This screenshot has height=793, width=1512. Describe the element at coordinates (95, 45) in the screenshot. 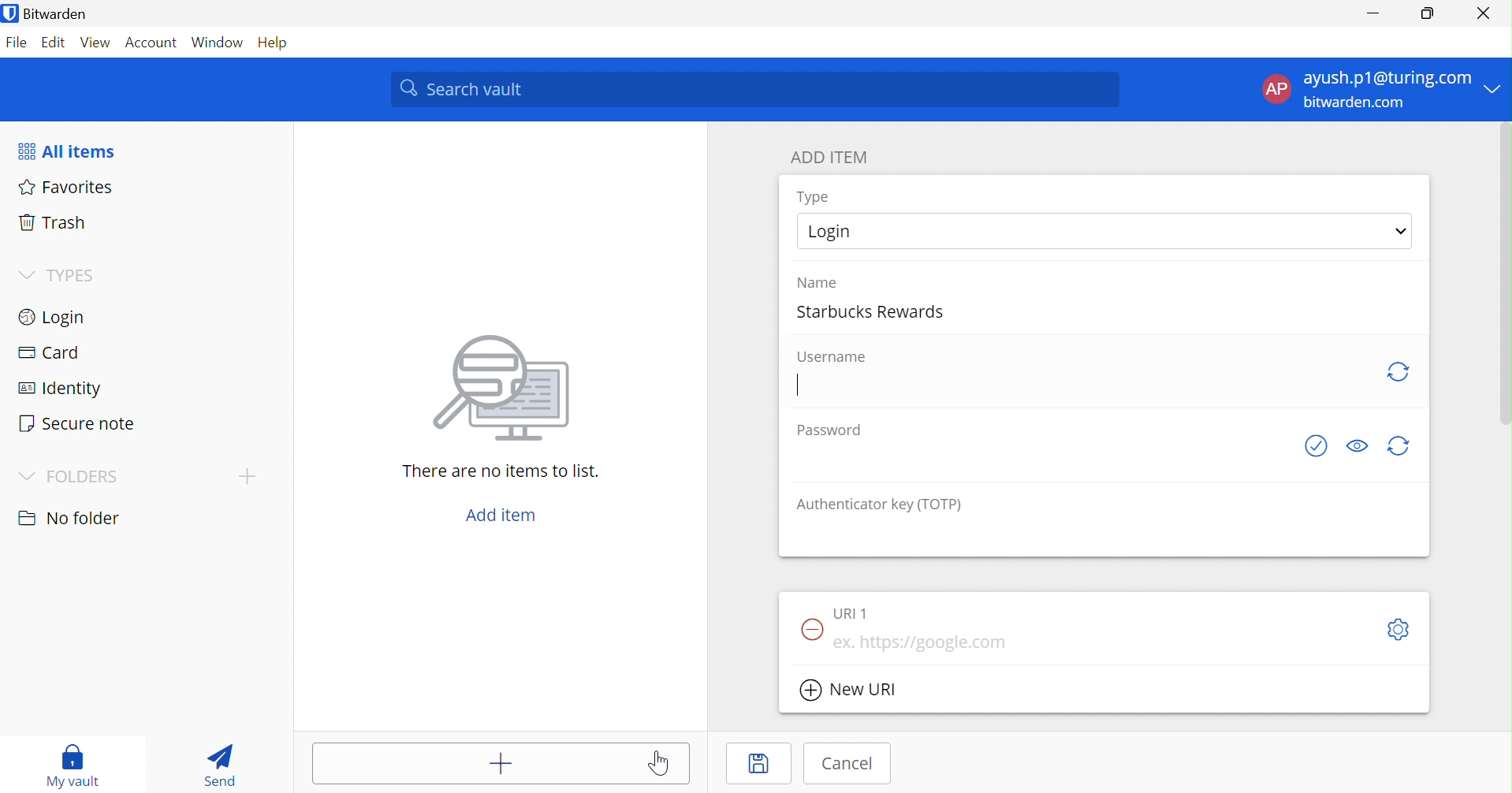

I see `View` at that location.